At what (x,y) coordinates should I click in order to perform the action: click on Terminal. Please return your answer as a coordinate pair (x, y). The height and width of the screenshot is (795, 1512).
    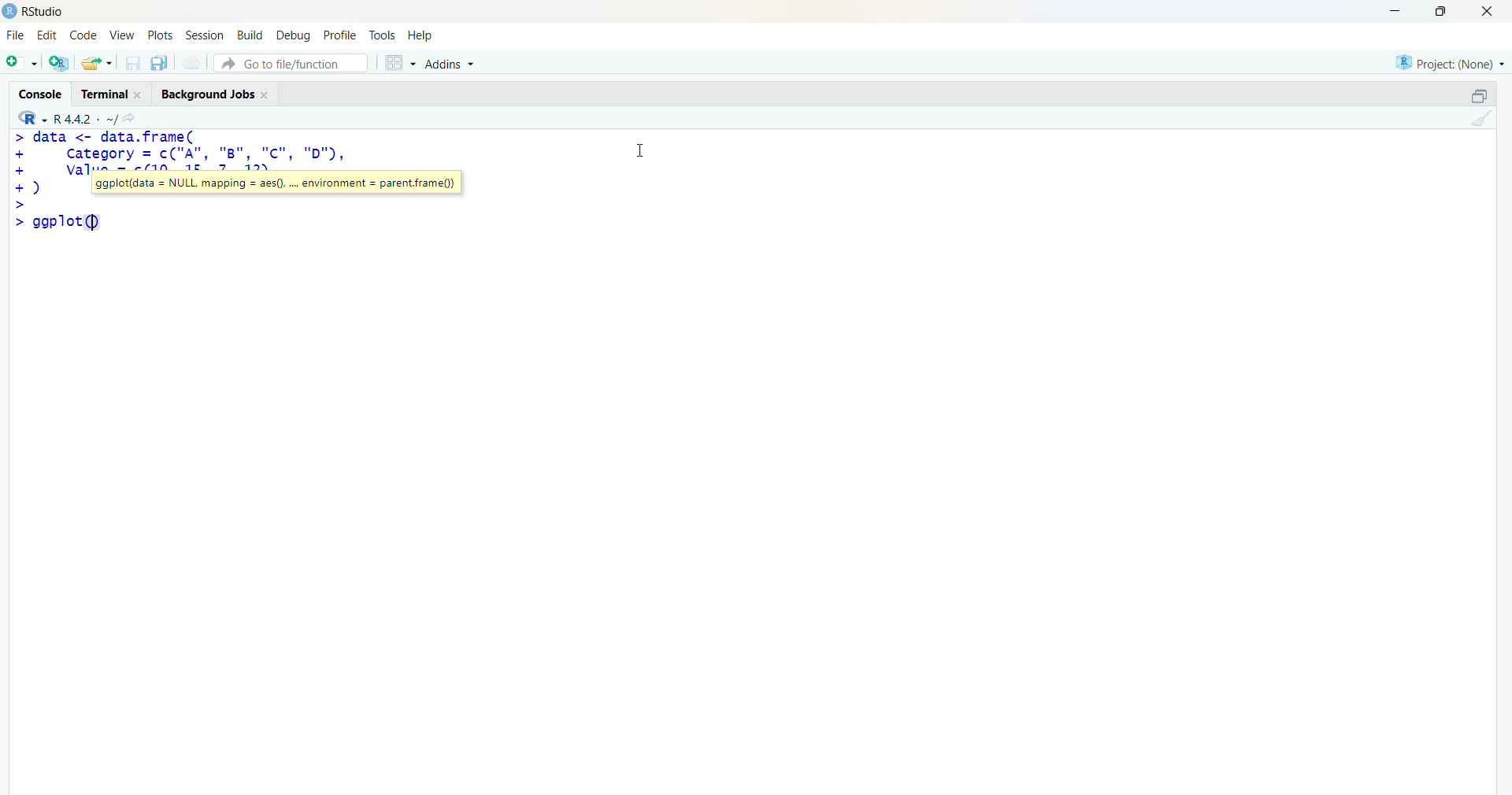
    Looking at the image, I should click on (109, 92).